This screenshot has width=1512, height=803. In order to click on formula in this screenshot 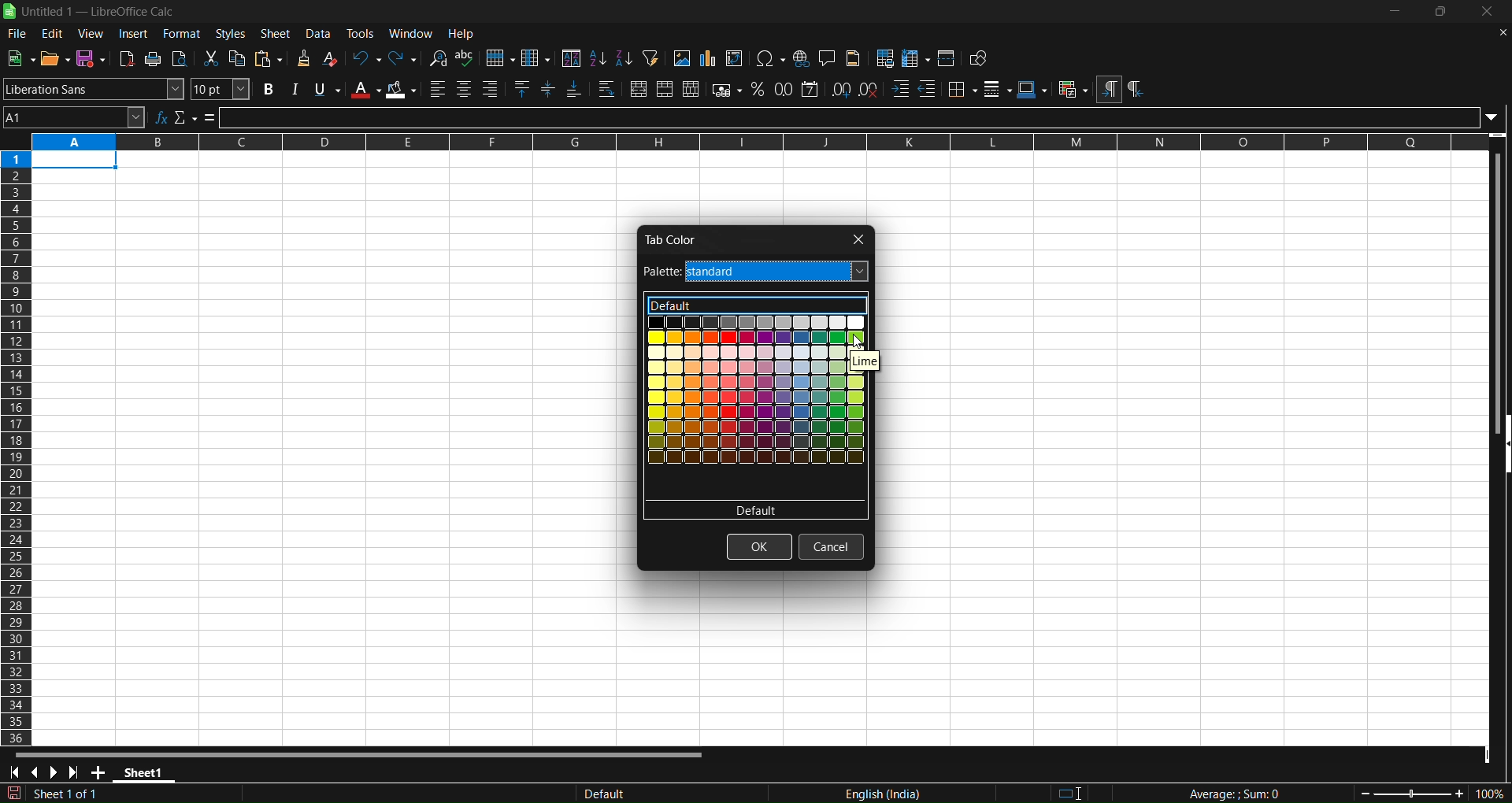, I will do `click(1220, 794)`.